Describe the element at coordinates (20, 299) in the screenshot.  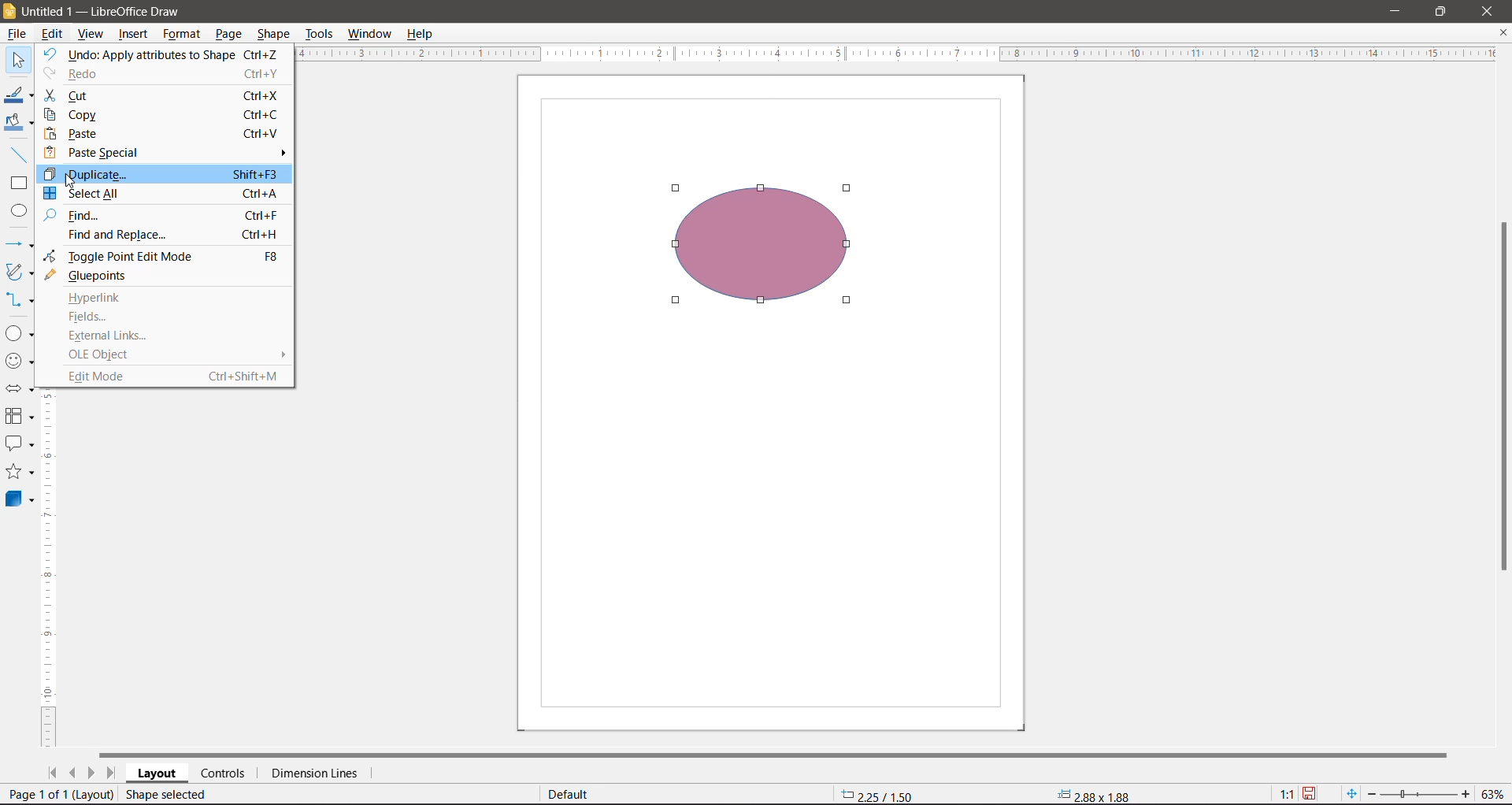
I see `Connectors` at that location.